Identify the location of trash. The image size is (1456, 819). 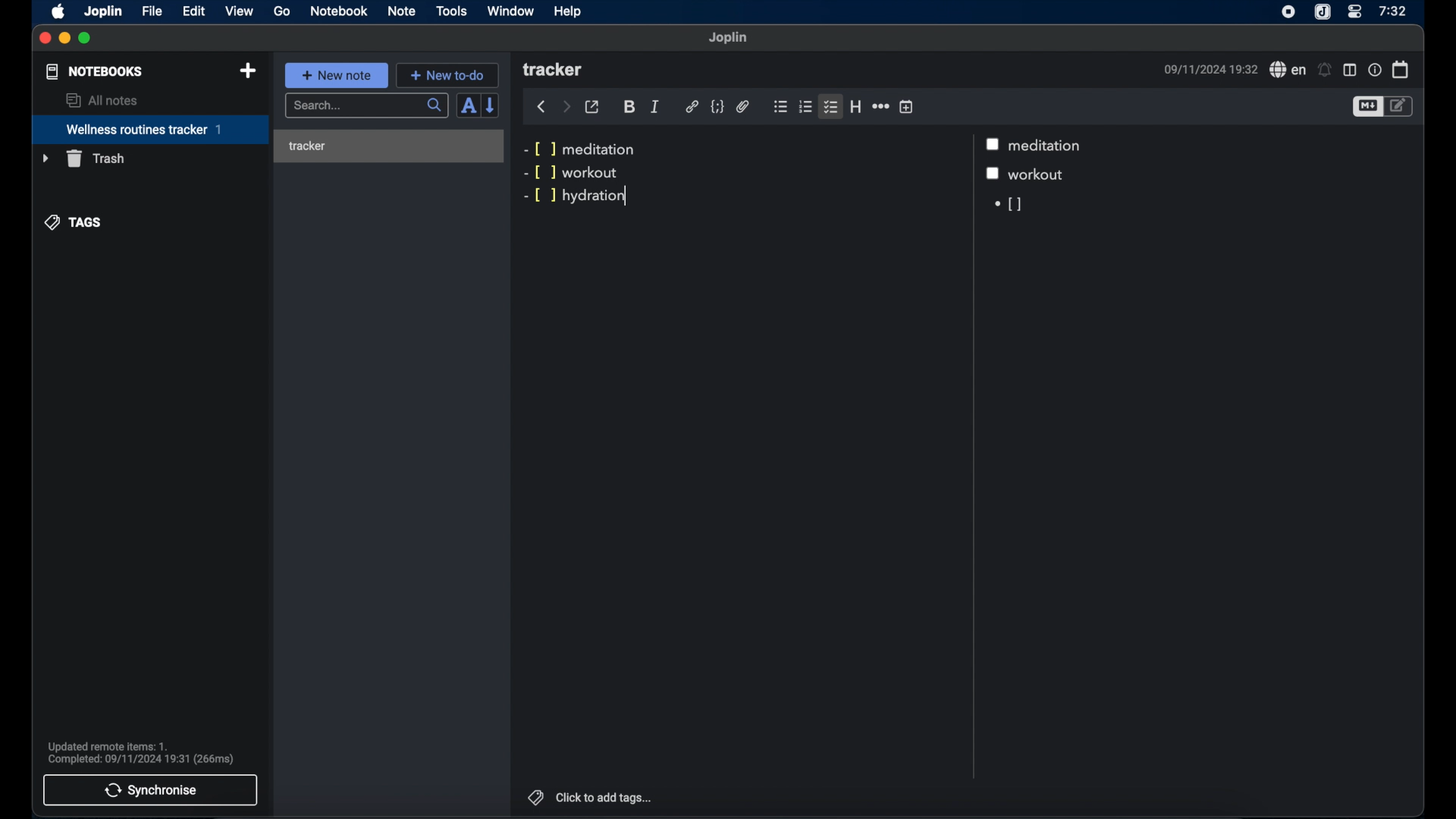
(83, 158).